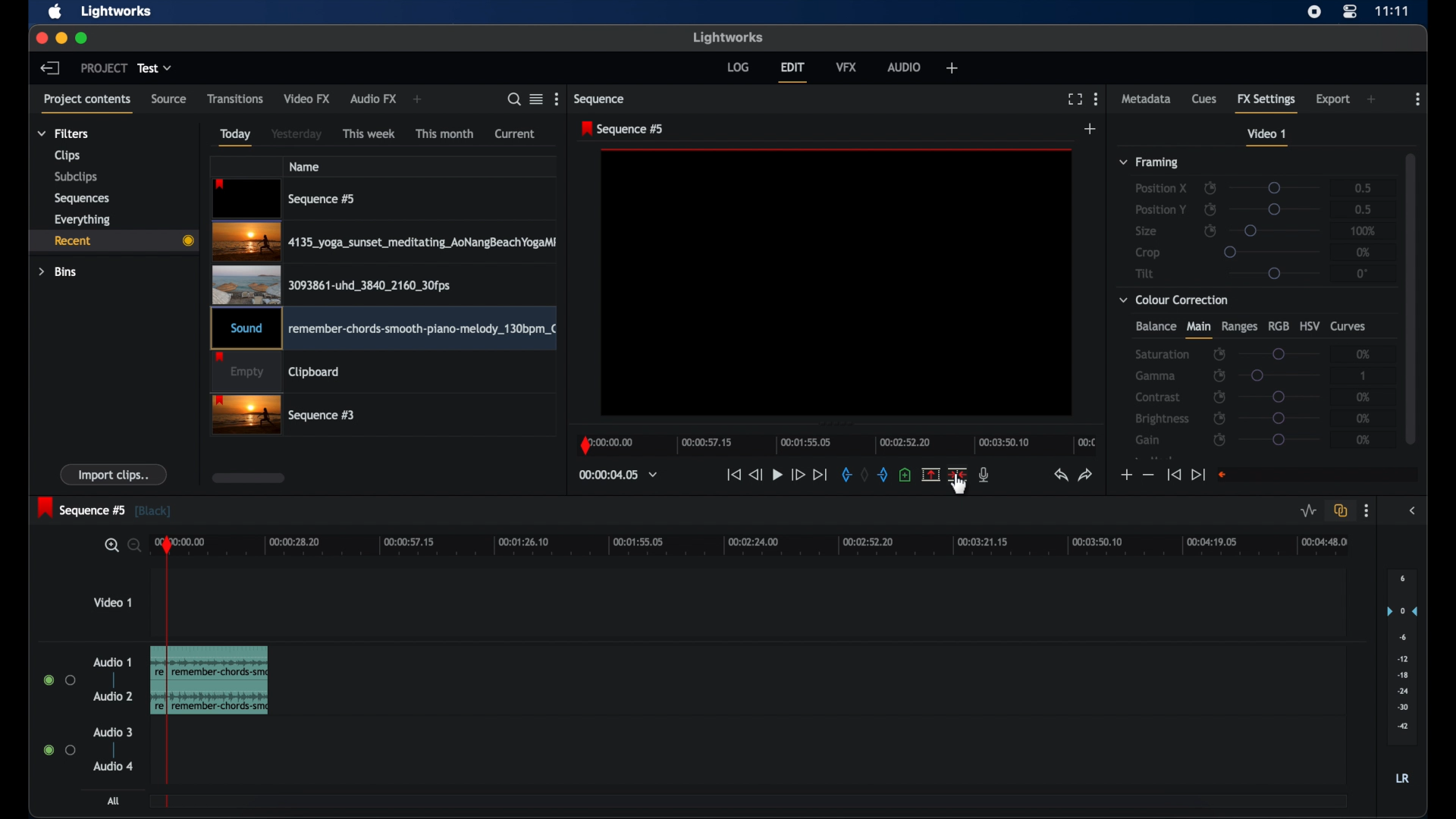 Image resolution: width=1456 pixels, height=819 pixels. I want to click on framing, so click(1150, 163).